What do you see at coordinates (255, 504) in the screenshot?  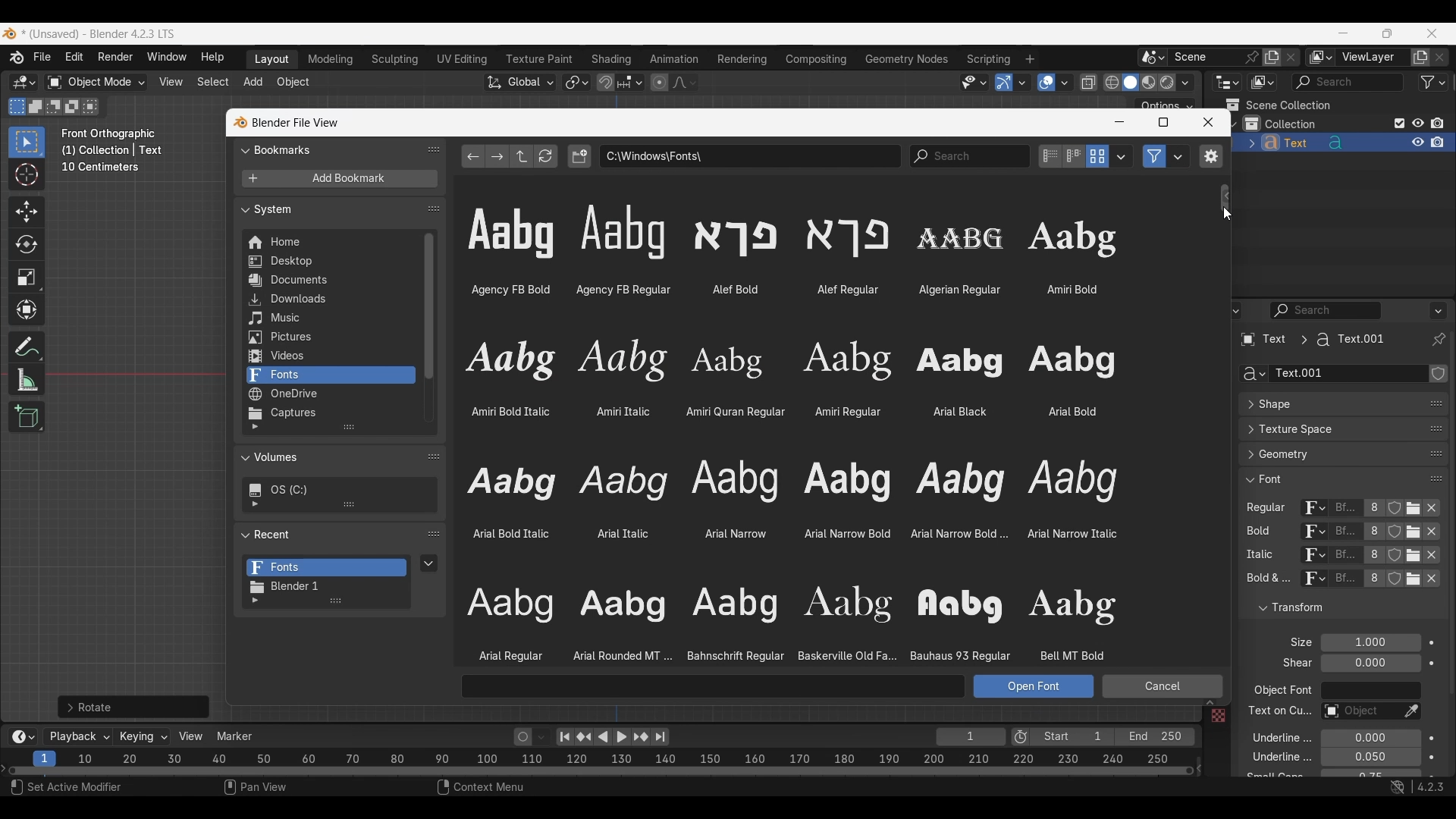 I see `Show filtering options` at bounding box center [255, 504].